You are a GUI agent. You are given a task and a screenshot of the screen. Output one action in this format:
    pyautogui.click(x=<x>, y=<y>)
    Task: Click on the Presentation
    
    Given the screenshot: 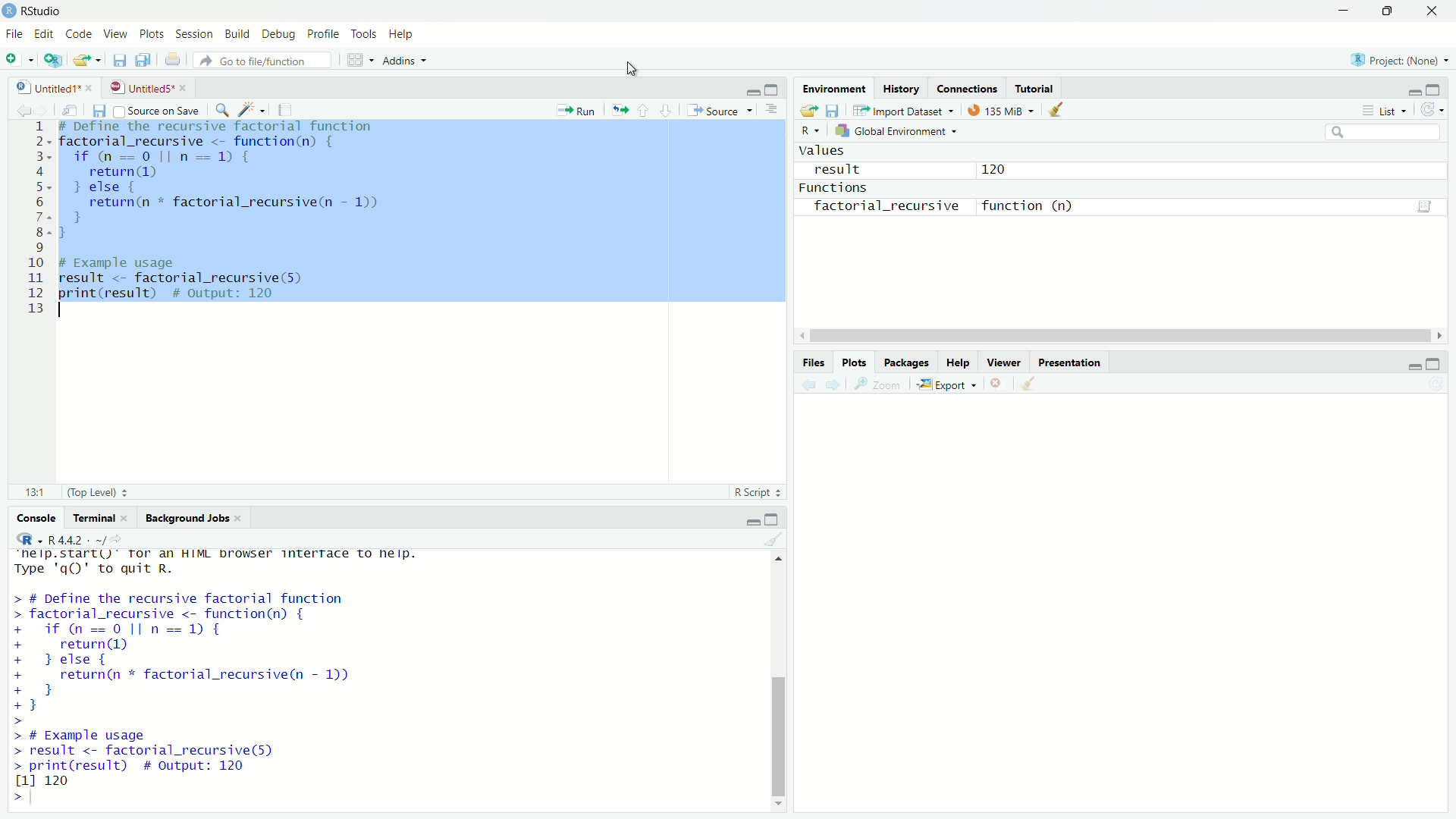 What is the action you would take?
    pyautogui.click(x=1071, y=361)
    